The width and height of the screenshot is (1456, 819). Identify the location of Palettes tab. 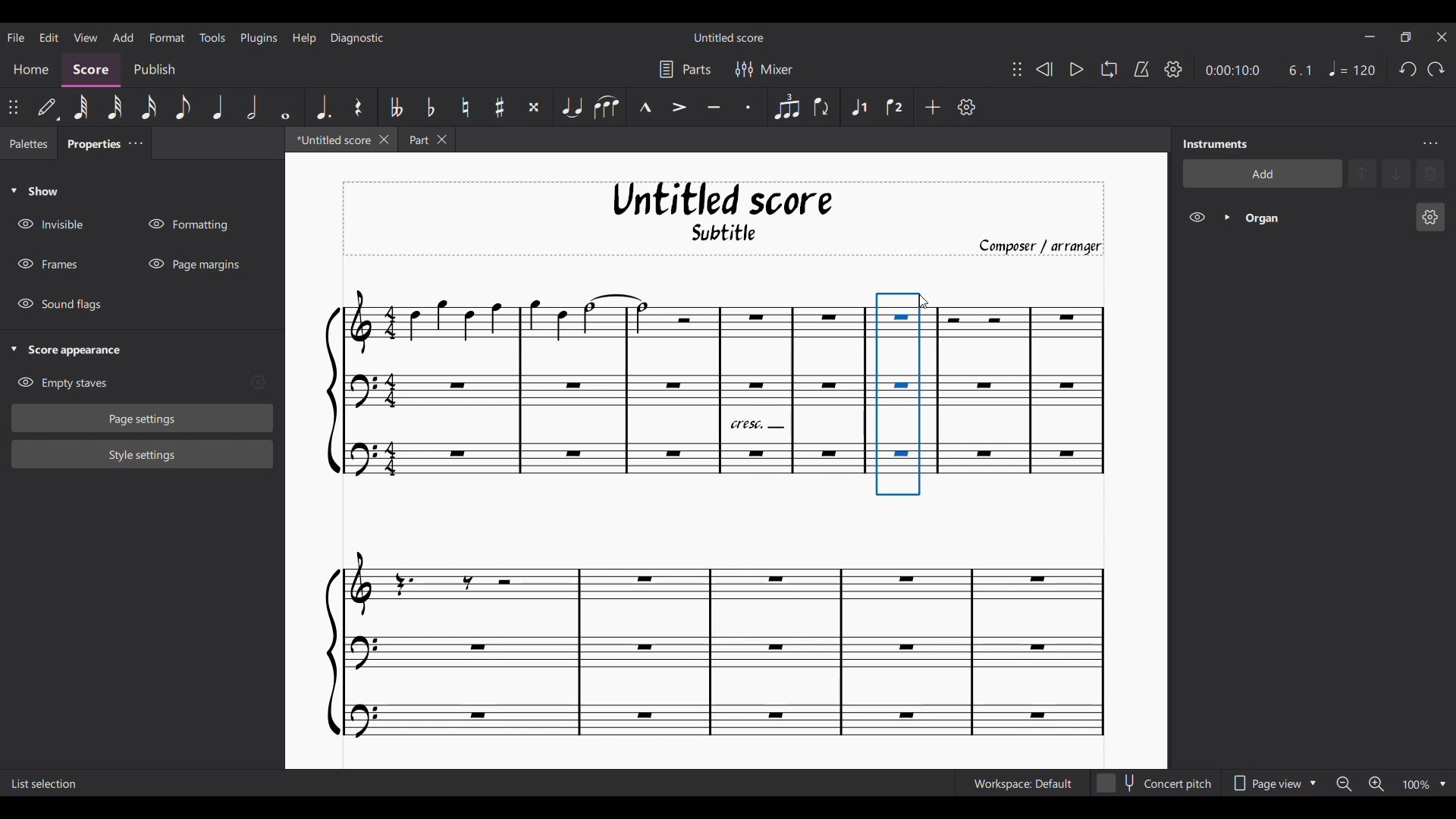
(29, 143).